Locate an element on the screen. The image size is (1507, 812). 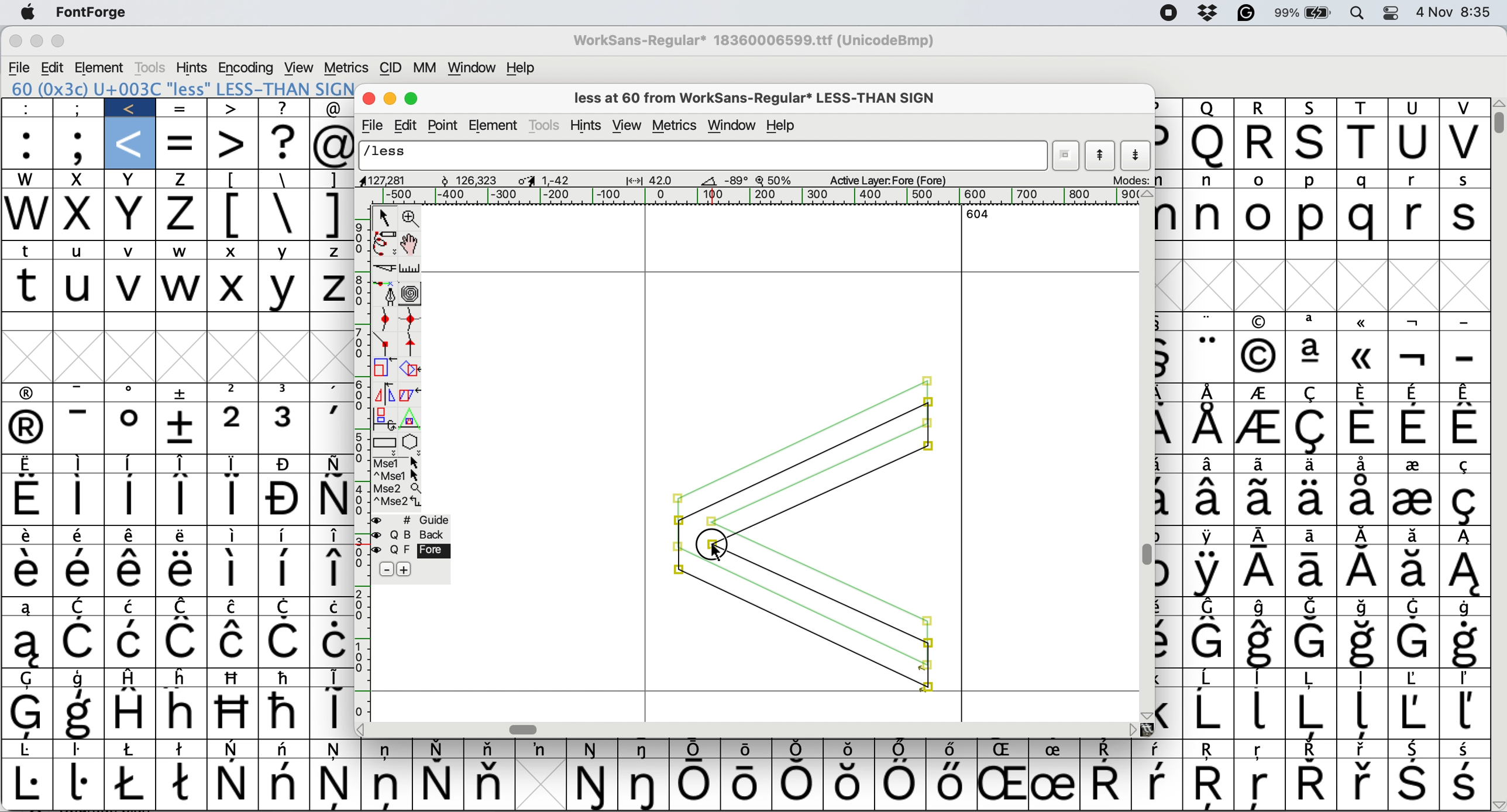
@ is located at coordinates (335, 108).